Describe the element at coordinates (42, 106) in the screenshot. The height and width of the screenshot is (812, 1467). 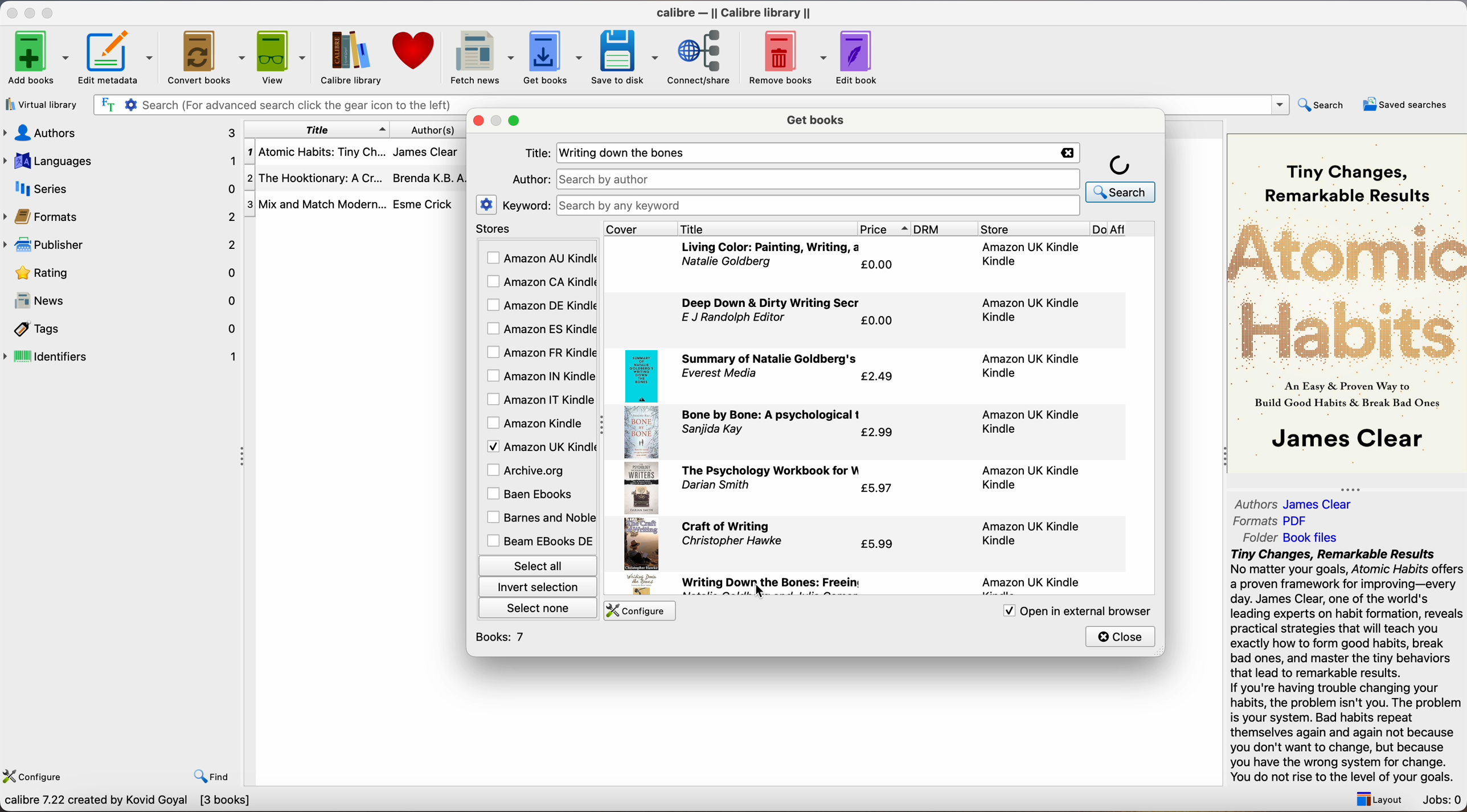
I see `virtual library` at that location.